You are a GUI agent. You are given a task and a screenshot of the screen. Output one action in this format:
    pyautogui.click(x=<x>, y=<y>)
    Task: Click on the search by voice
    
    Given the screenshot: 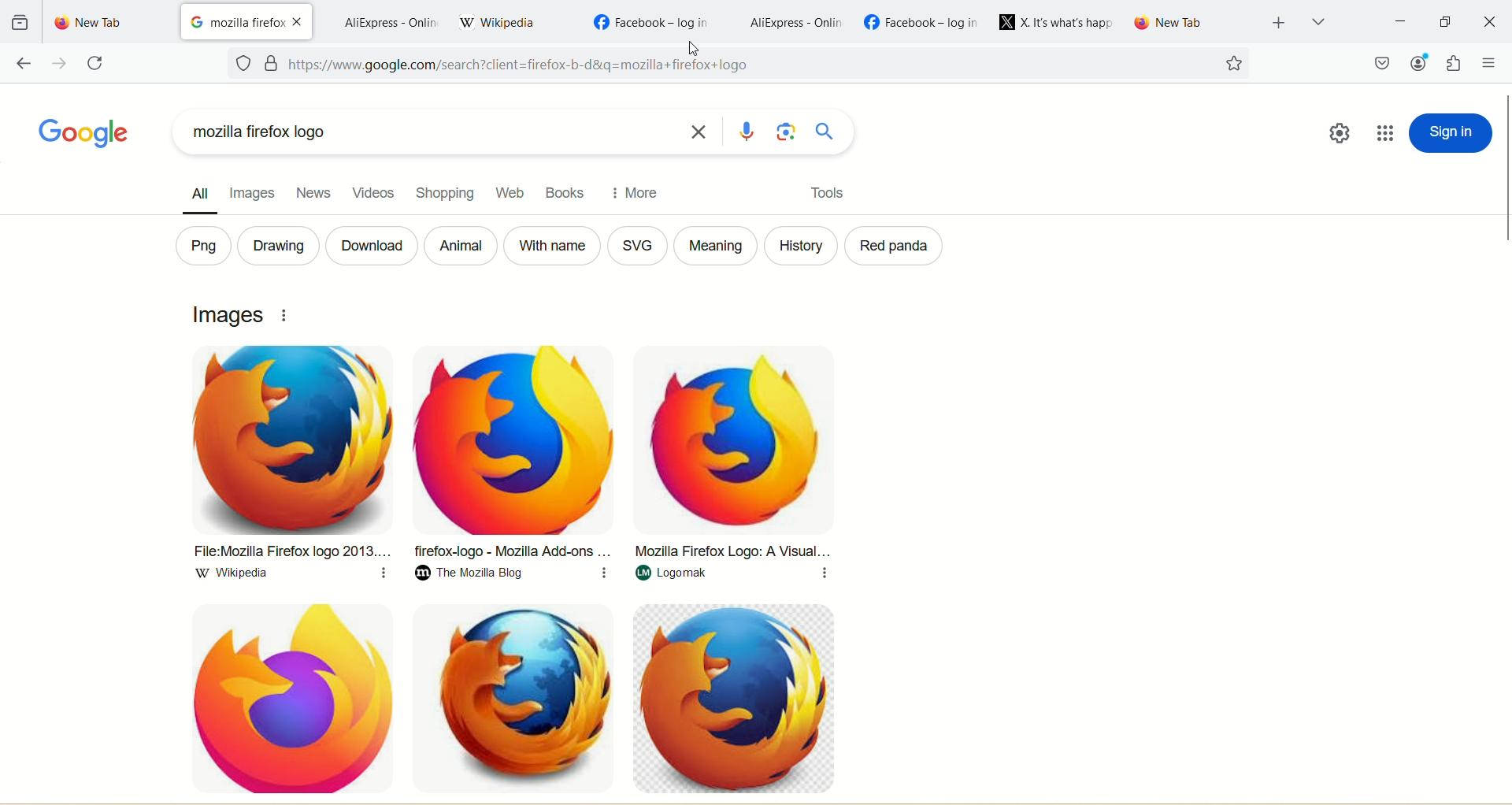 What is the action you would take?
    pyautogui.click(x=752, y=132)
    